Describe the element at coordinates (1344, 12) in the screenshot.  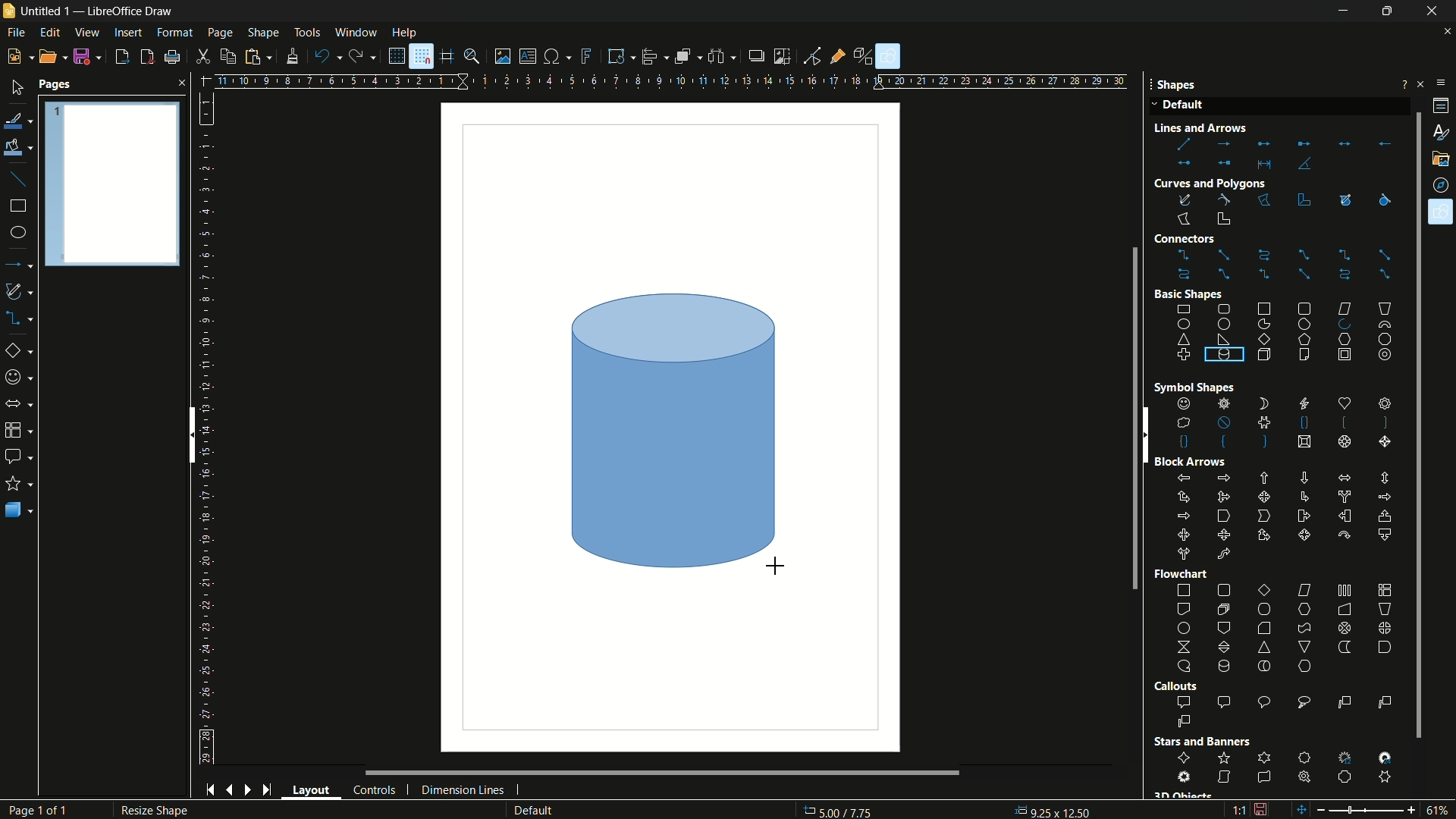
I see `minimize` at that location.